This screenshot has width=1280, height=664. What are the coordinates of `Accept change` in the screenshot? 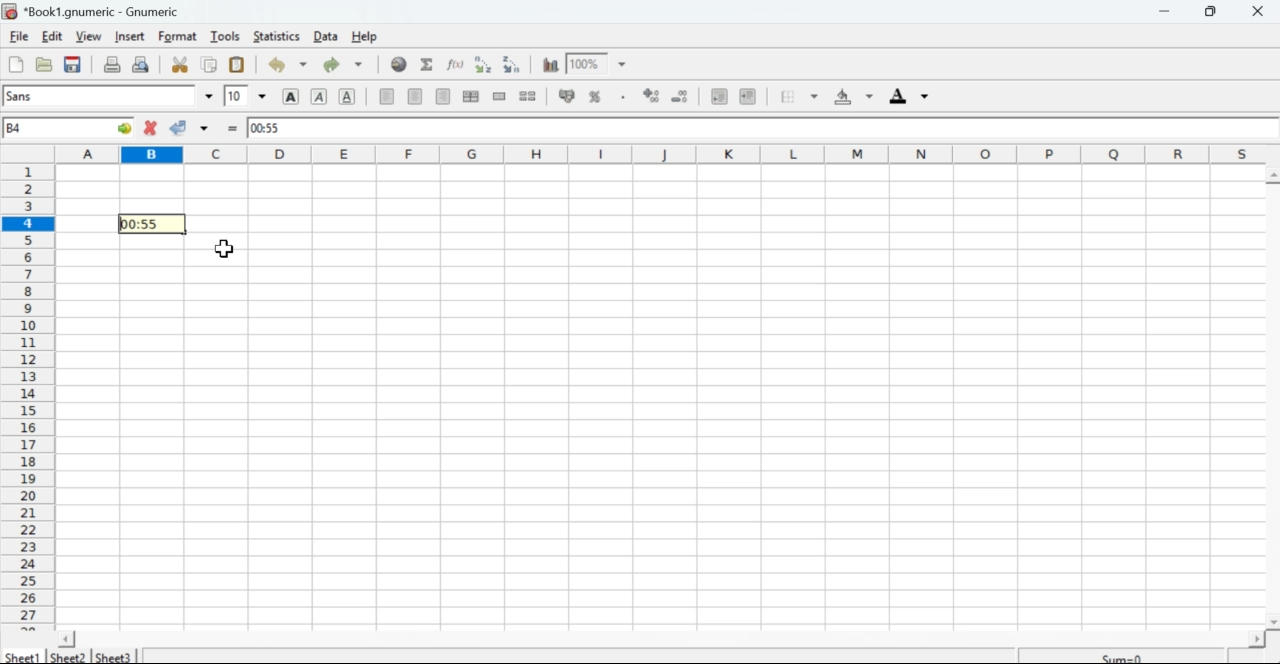 It's located at (182, 128).